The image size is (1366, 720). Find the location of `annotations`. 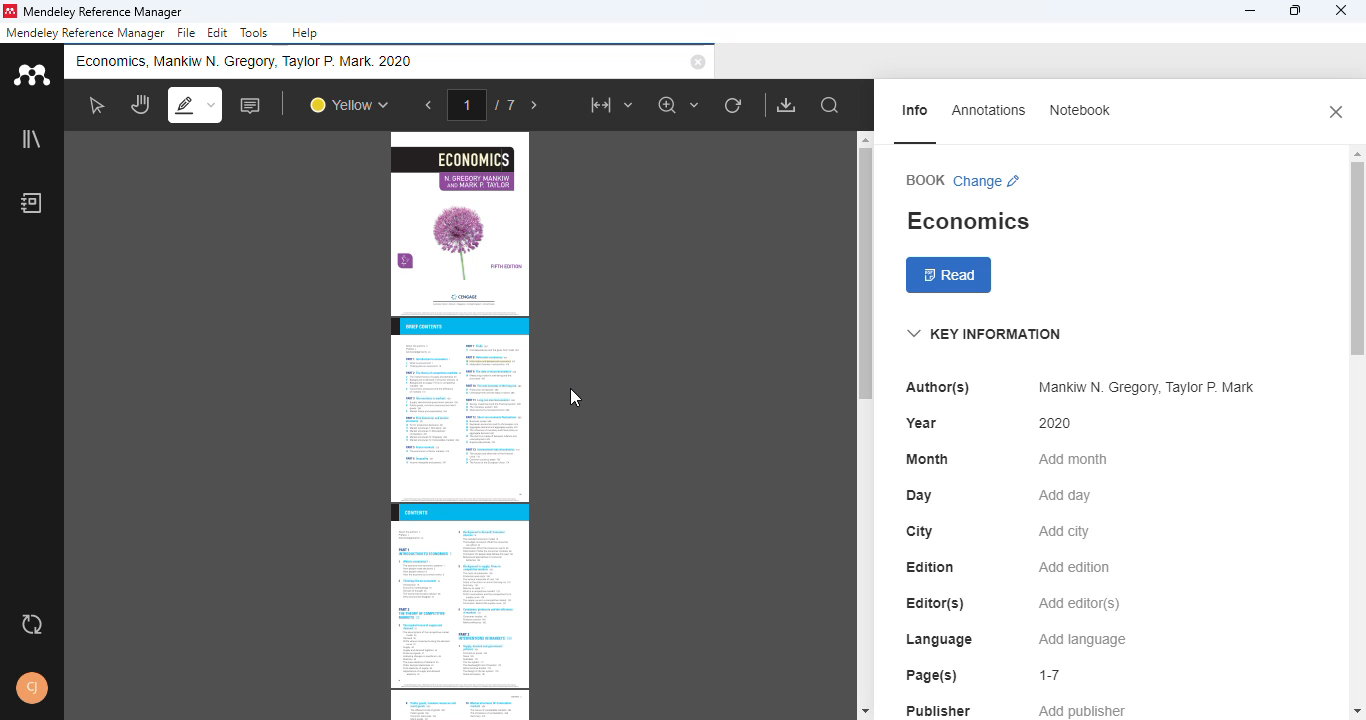

annotations is located at coordinates (989, 109).